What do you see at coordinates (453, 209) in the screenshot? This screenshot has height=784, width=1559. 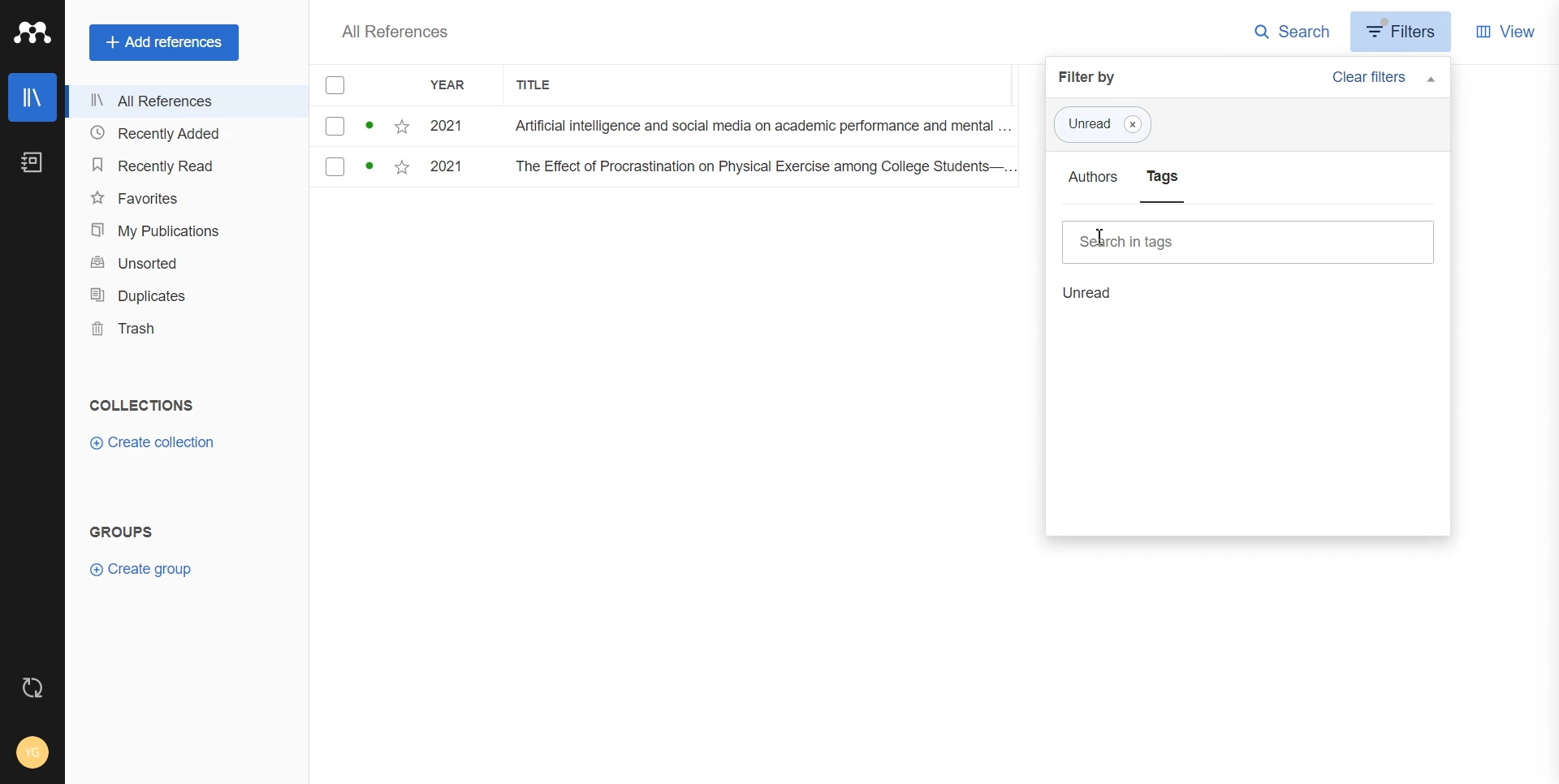 I see `2021` at bounding box center [453, 209].